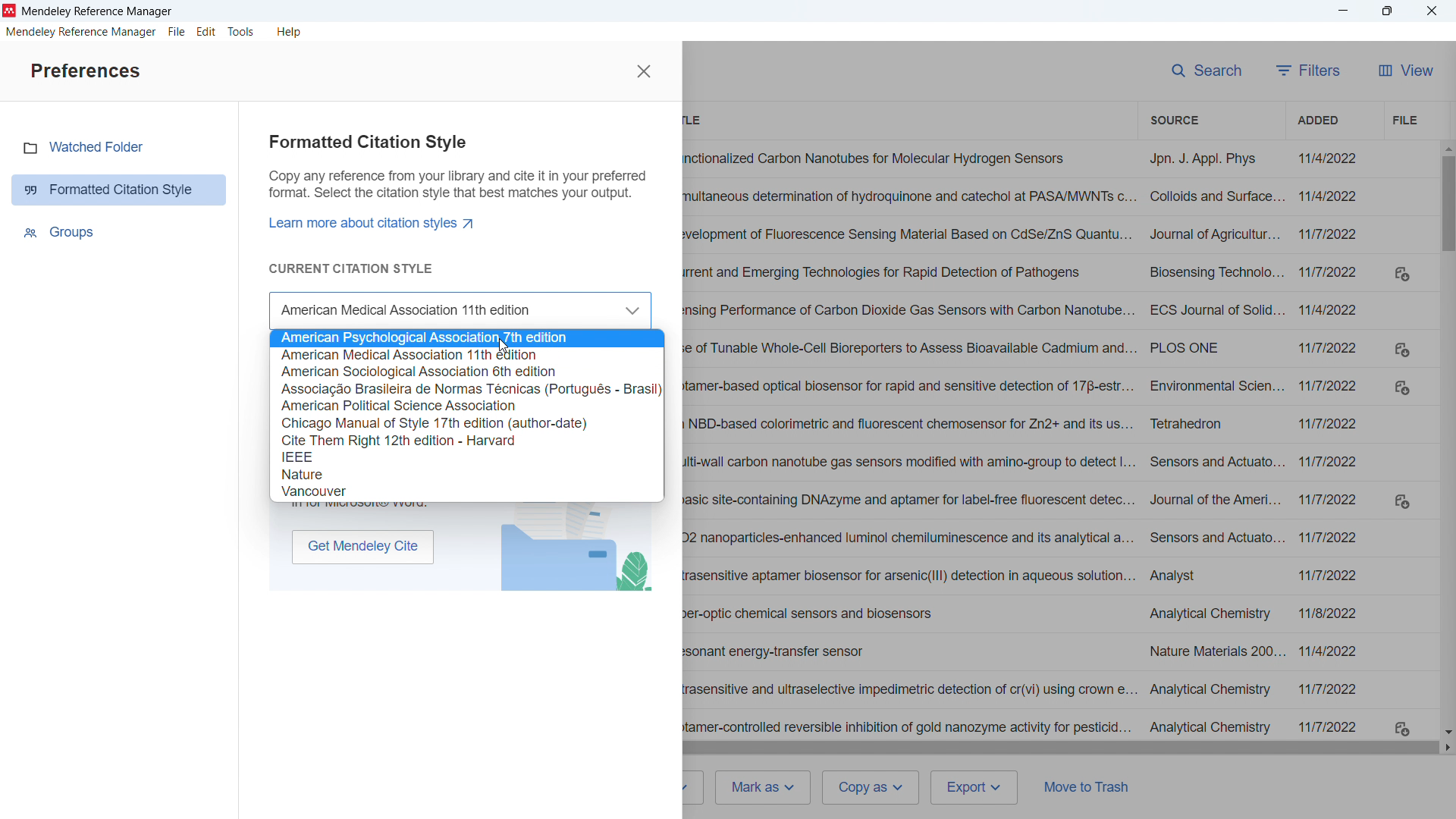 This screenshot has height=819, width=1456. What do you see at coordinates (502, 347) in the screenshot?
I see `Cursor` at bounding box center [502, 347].